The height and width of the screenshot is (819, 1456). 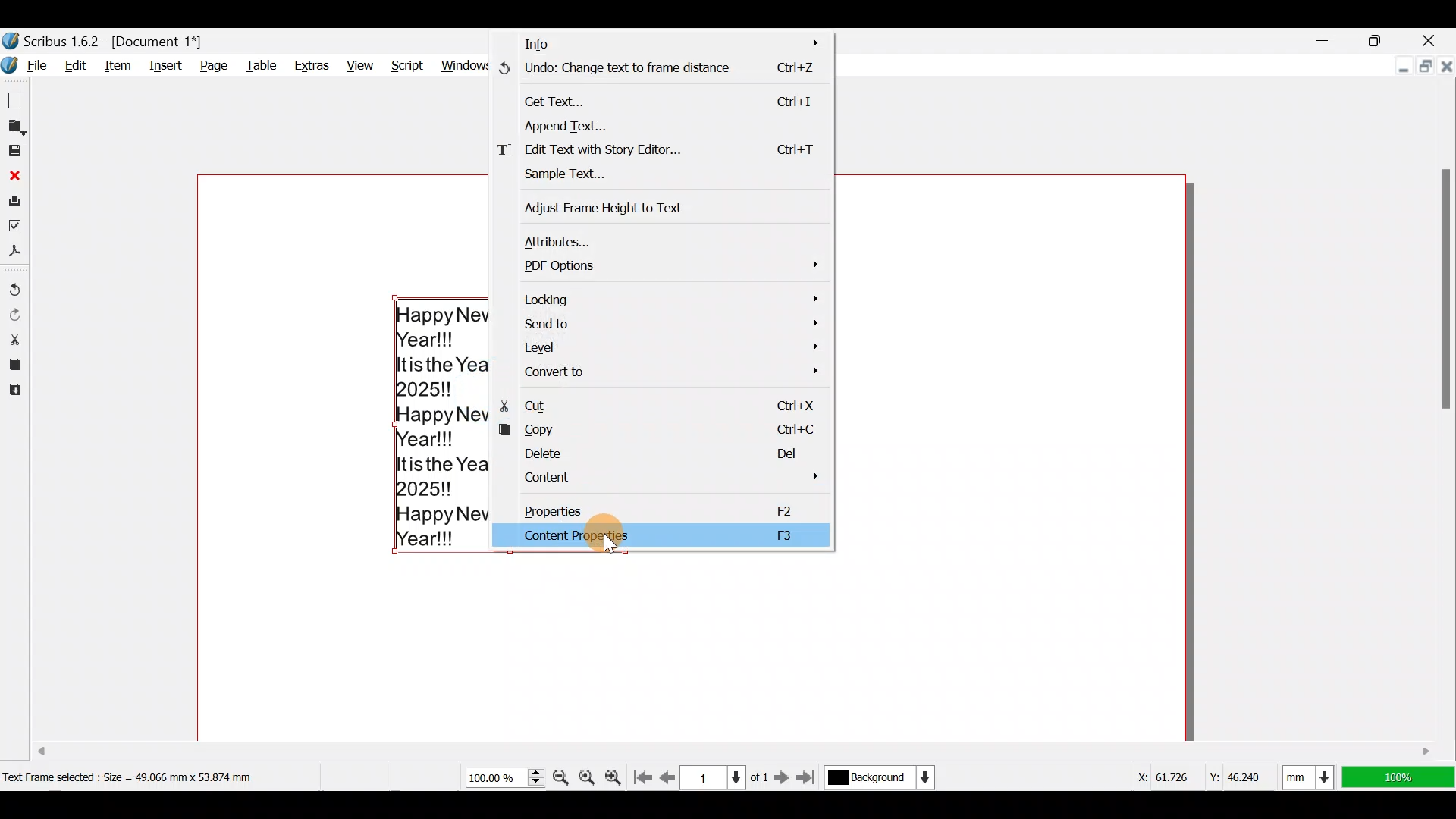 I want to click on Content, so click(x=672, y=480).